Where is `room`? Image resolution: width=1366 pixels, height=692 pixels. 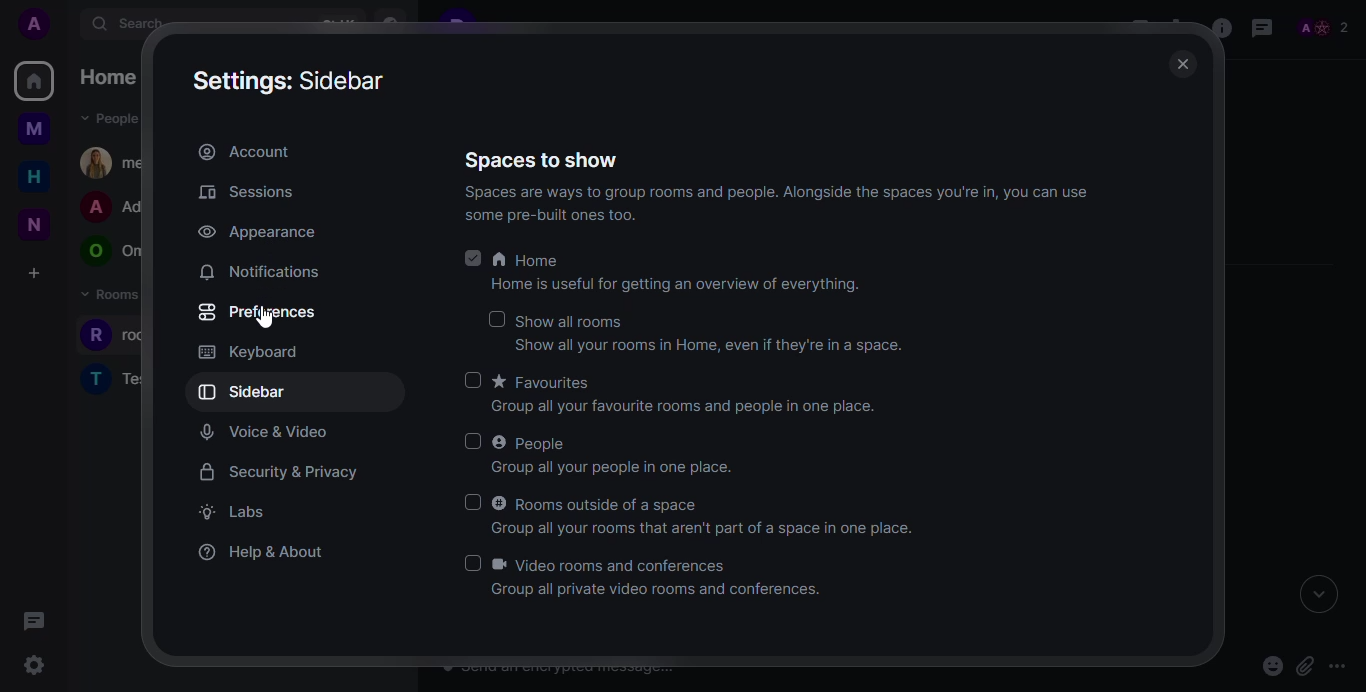
room is located at coordinates (115, 377).